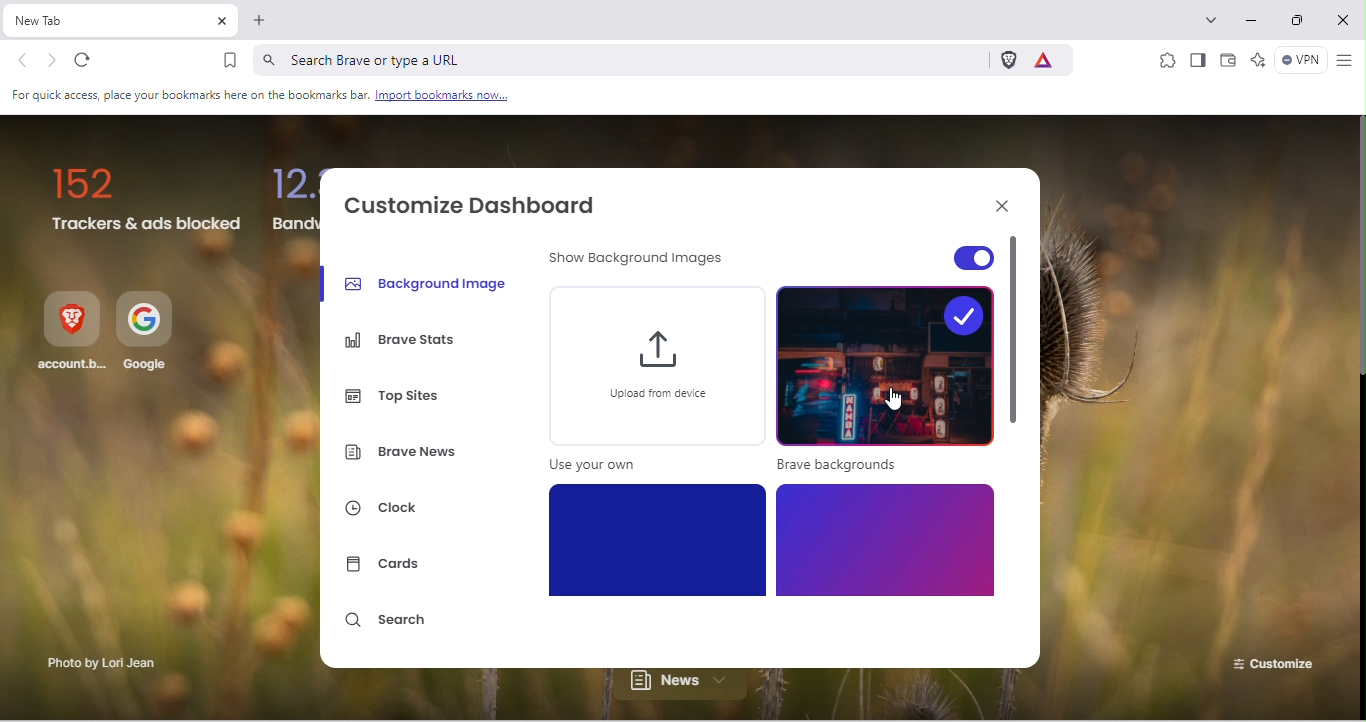 The image size is (1366, 722). Describe the element at coordinates (660, 539) in the screenshot. I see `Gradient` at that location.